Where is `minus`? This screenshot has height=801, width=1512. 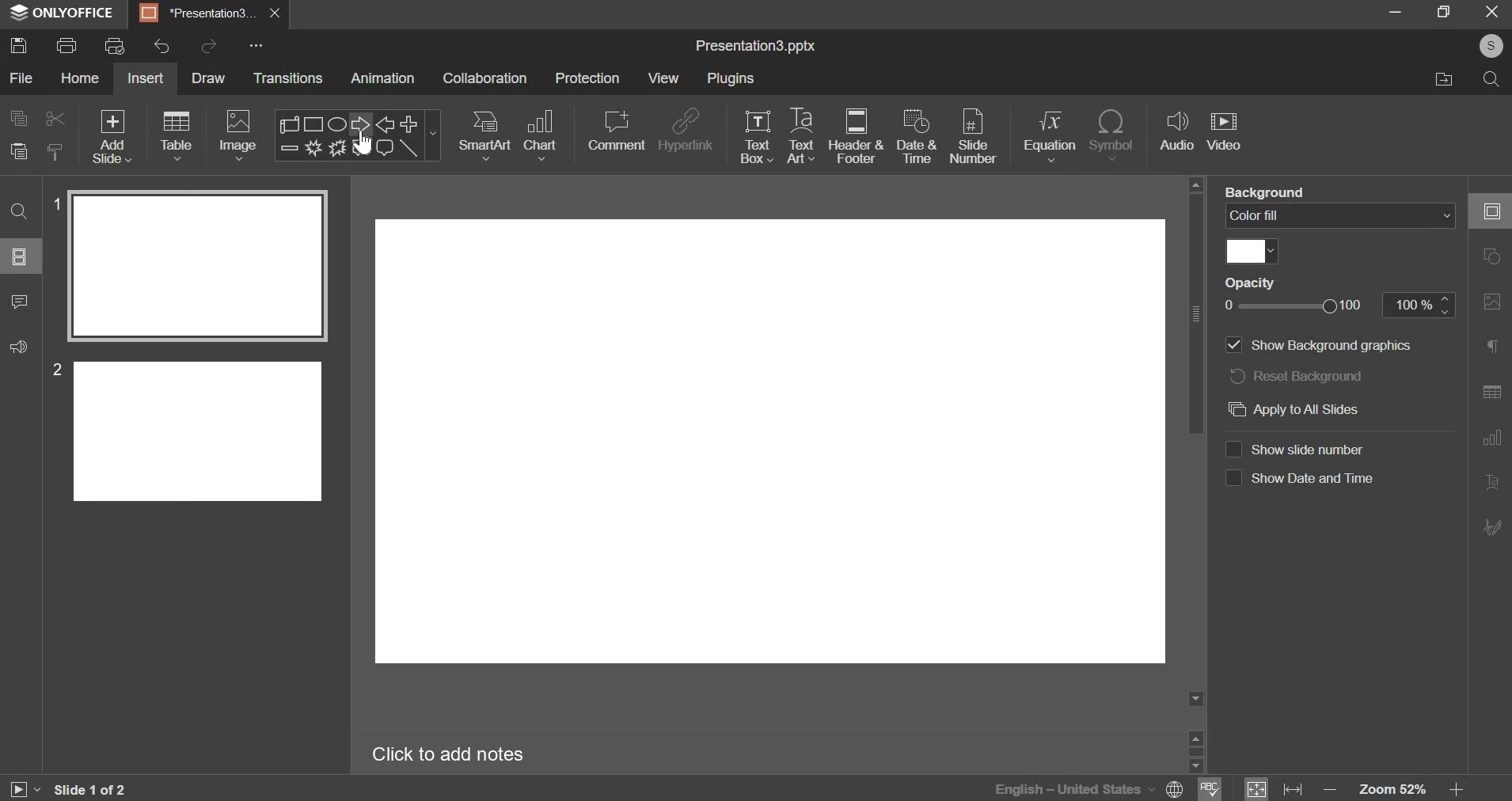
minus is located at coordinates (288, 147).